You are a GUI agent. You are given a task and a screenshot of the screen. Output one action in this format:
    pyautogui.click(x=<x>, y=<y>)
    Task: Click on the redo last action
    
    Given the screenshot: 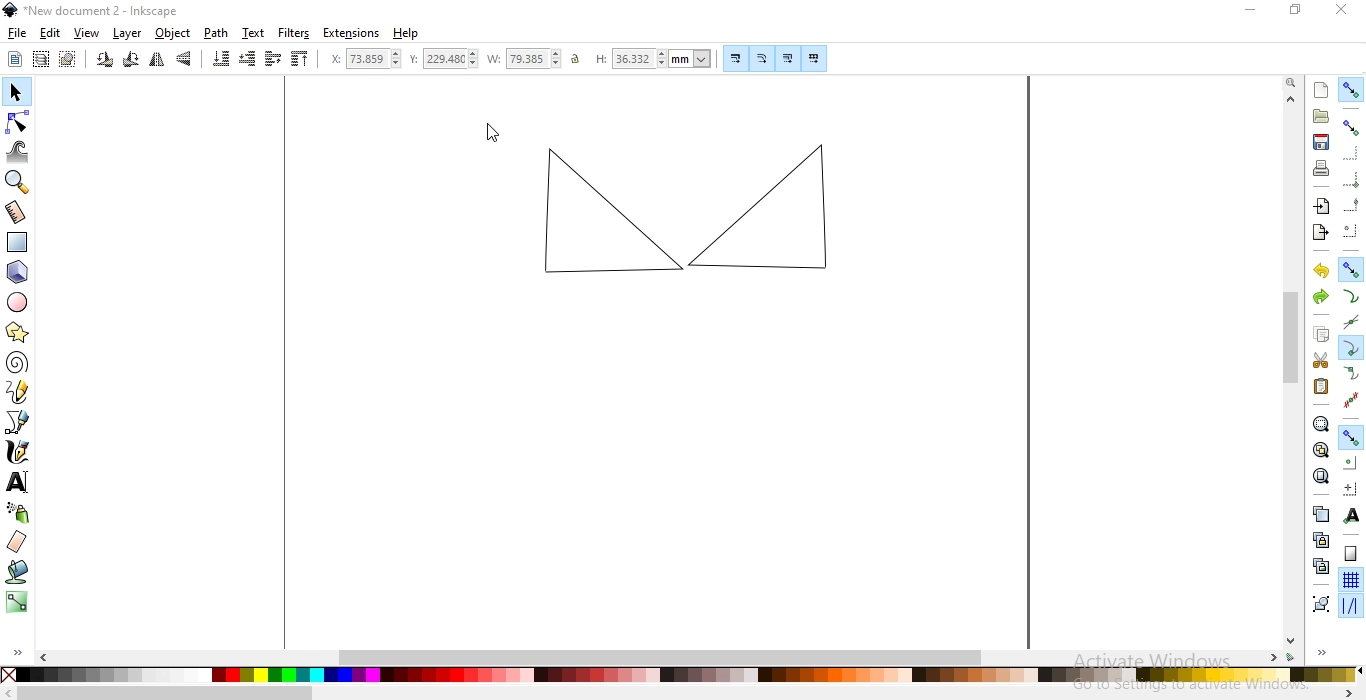 What is the action you would take?
    pyautogui.click(x=1320, y=298)
    